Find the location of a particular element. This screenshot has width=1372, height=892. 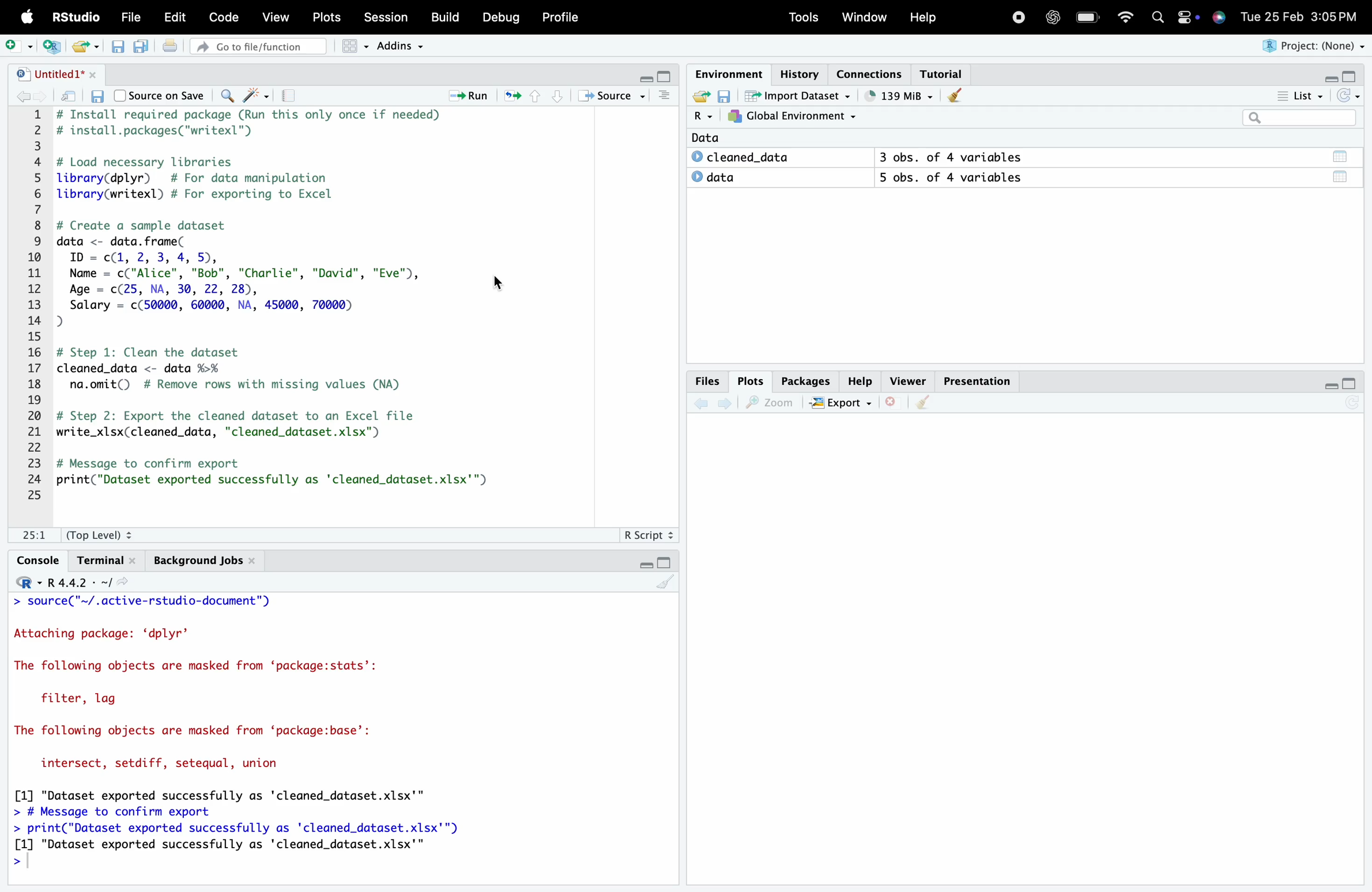

Code Tools is located at coordinates (257, 95).